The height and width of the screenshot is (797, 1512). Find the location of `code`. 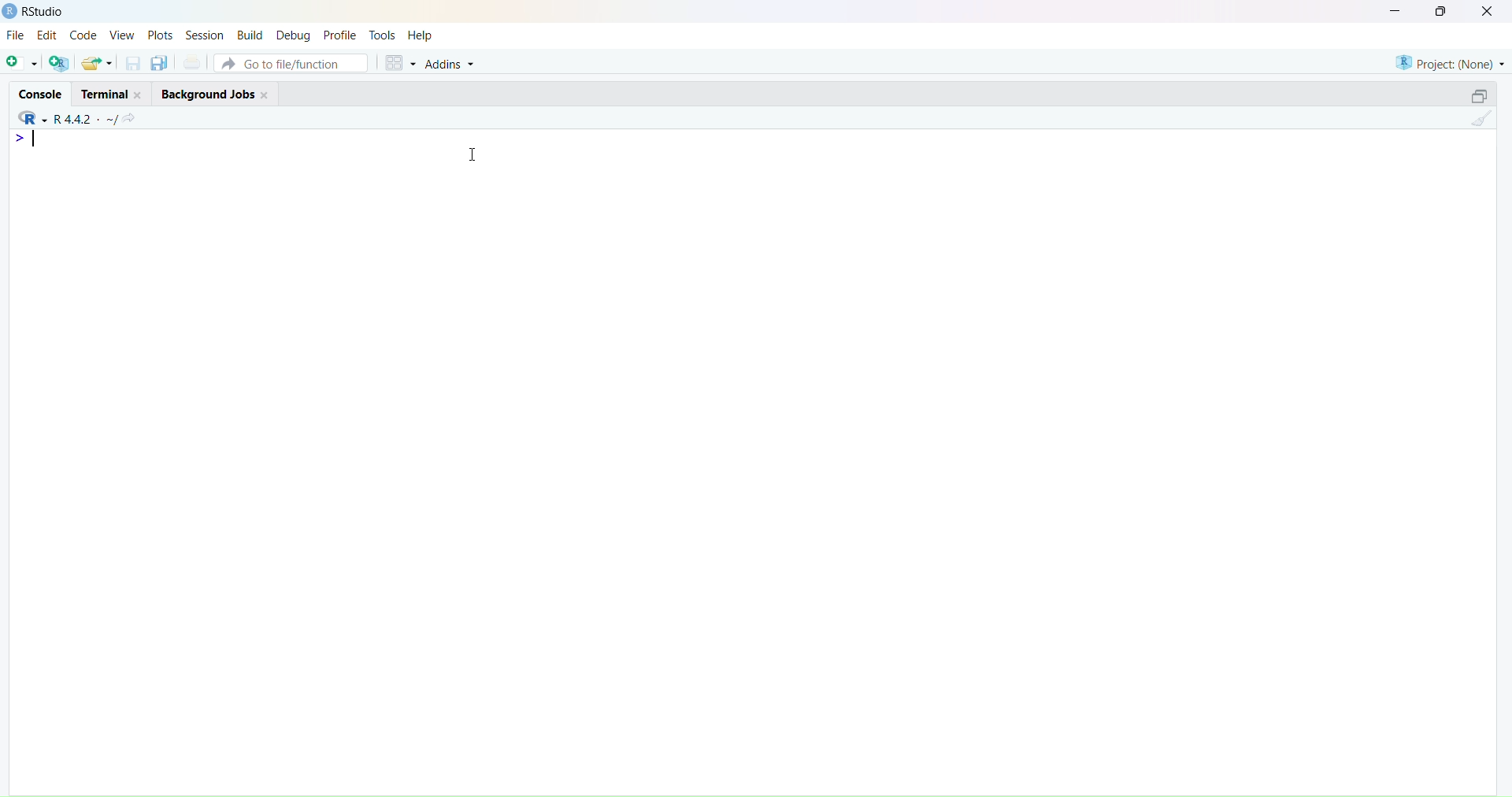

code is located at coordinates (83, 35).